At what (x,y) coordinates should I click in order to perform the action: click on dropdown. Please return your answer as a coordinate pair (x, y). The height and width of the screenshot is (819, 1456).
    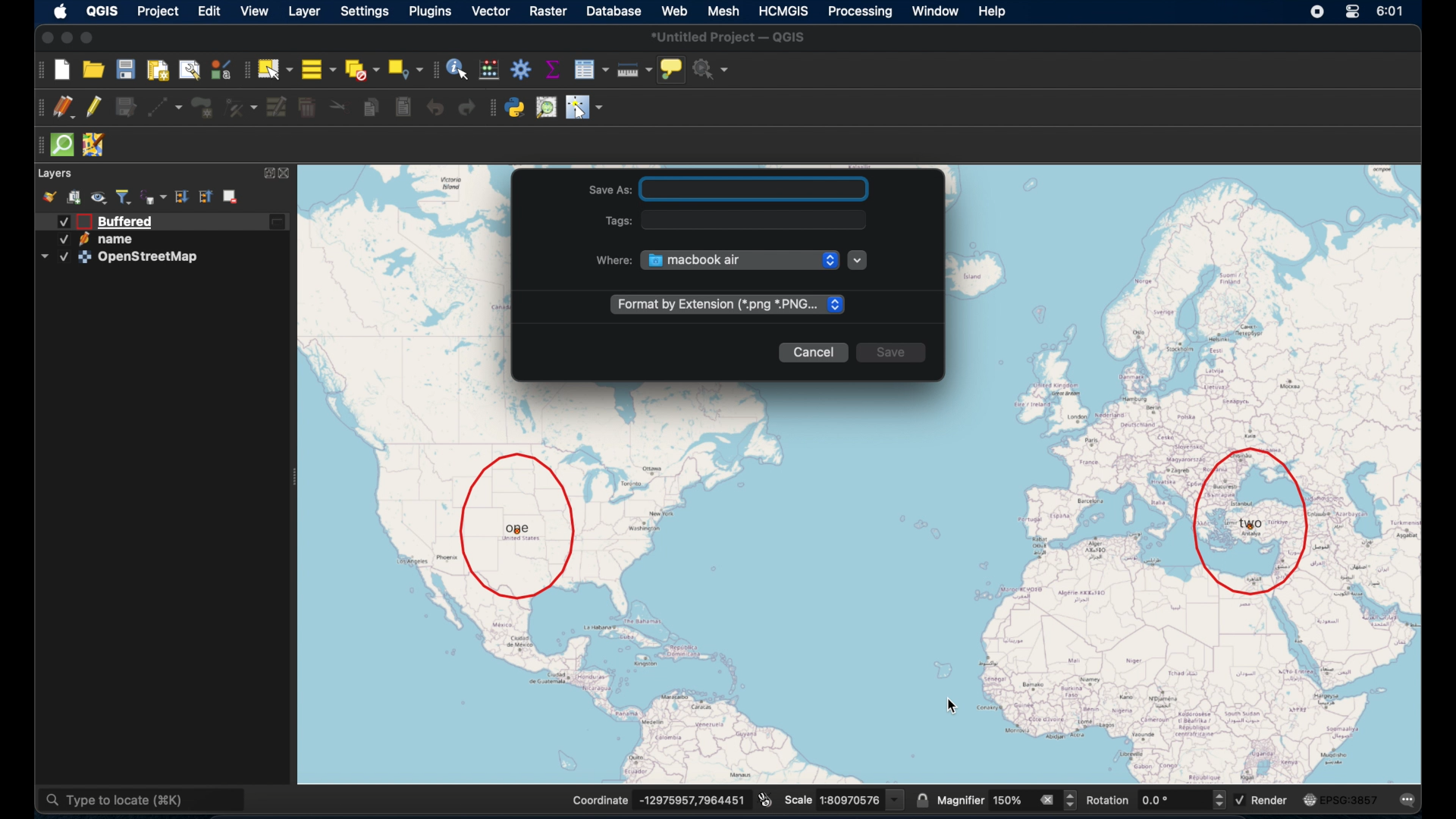
    Looking at the image, I should click on (43, 257).